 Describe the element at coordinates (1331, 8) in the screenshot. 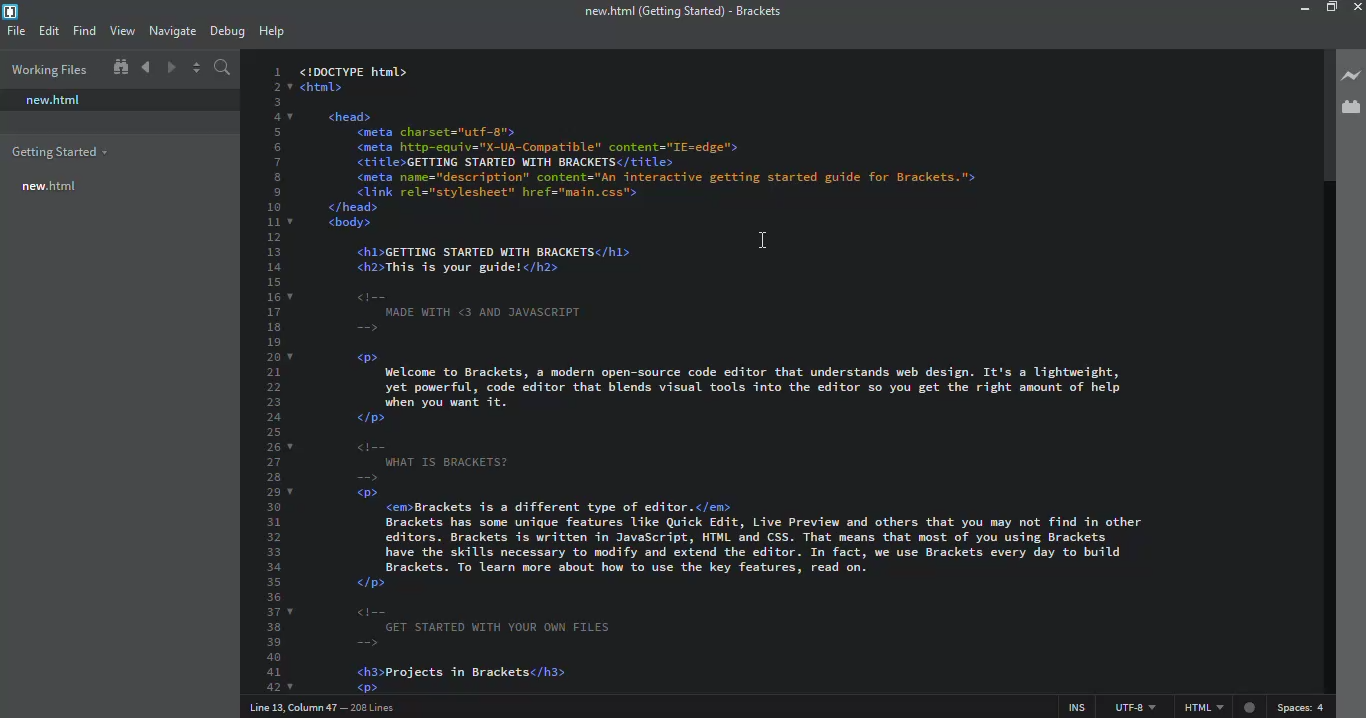

I see `maximize` at that location.